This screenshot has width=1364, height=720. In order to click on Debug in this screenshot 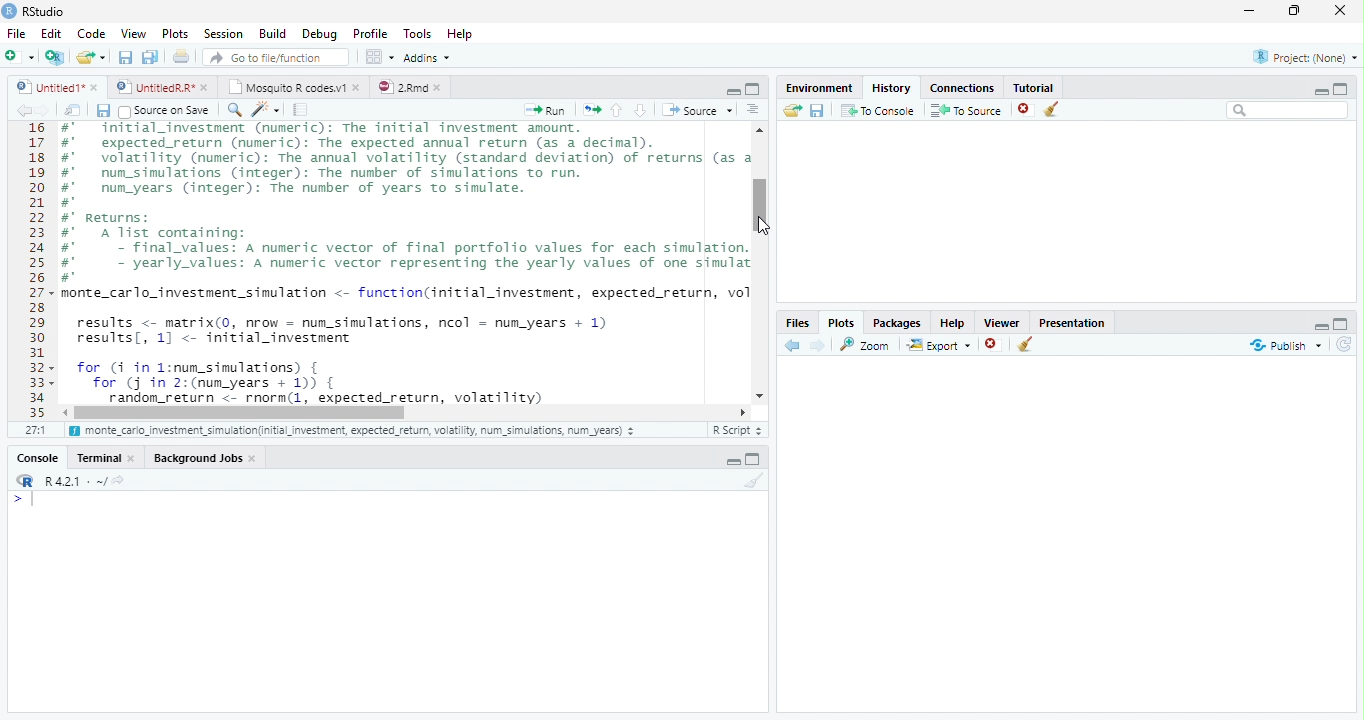, I will do `click(318, 34)`.